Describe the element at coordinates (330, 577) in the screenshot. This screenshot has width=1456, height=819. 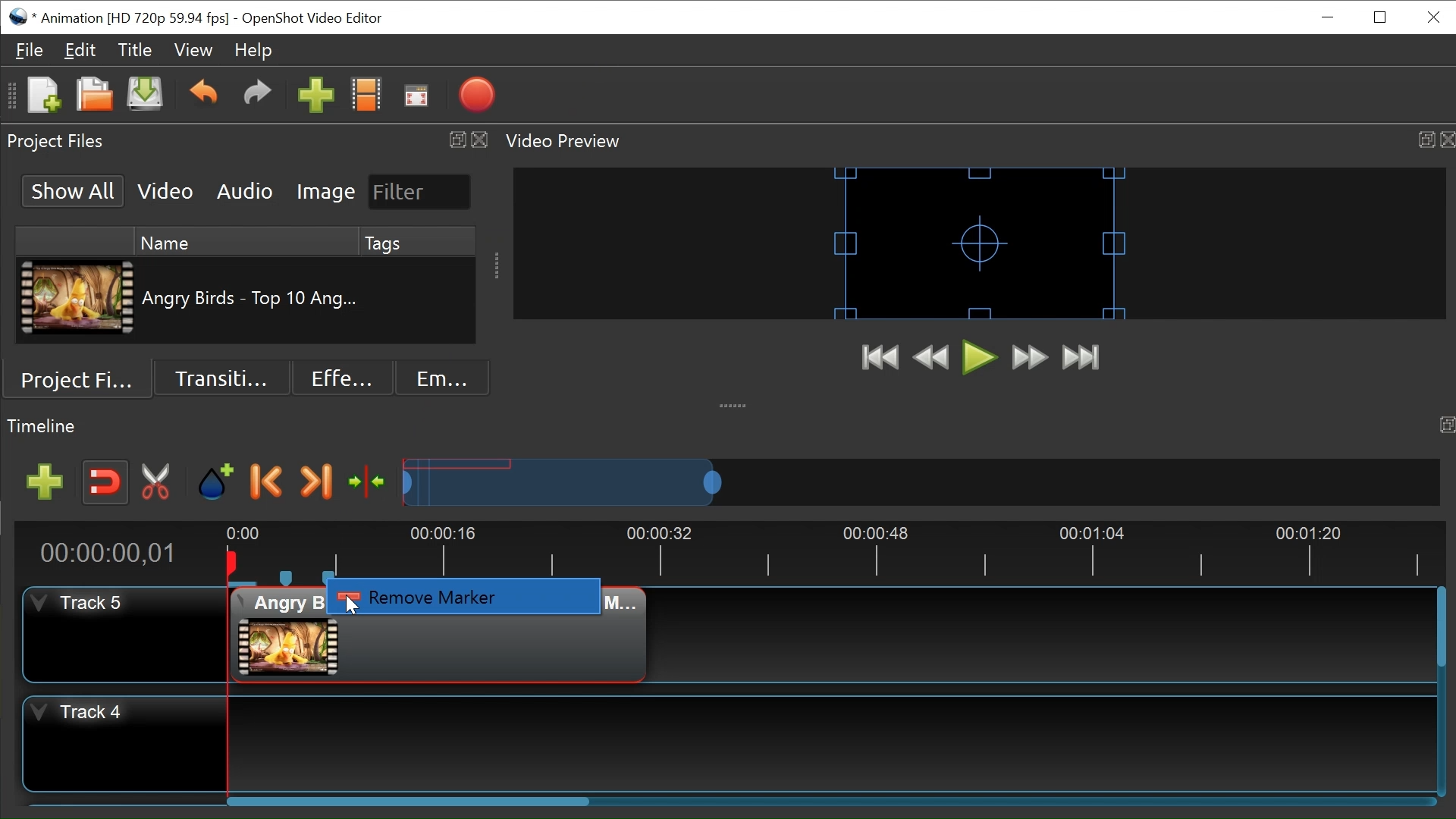
I see `Marker` at that location.